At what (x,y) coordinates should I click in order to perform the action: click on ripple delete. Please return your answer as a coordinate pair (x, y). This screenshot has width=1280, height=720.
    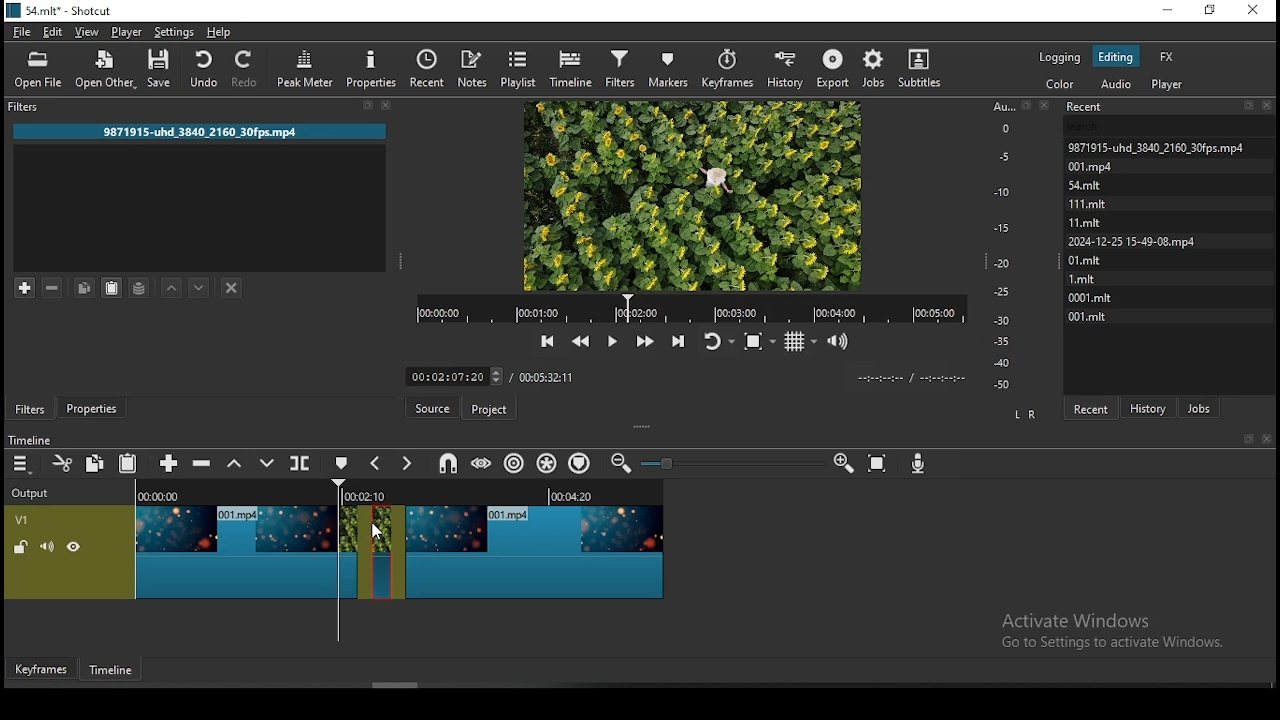
    Looking at the image, I should click on (201, 462).